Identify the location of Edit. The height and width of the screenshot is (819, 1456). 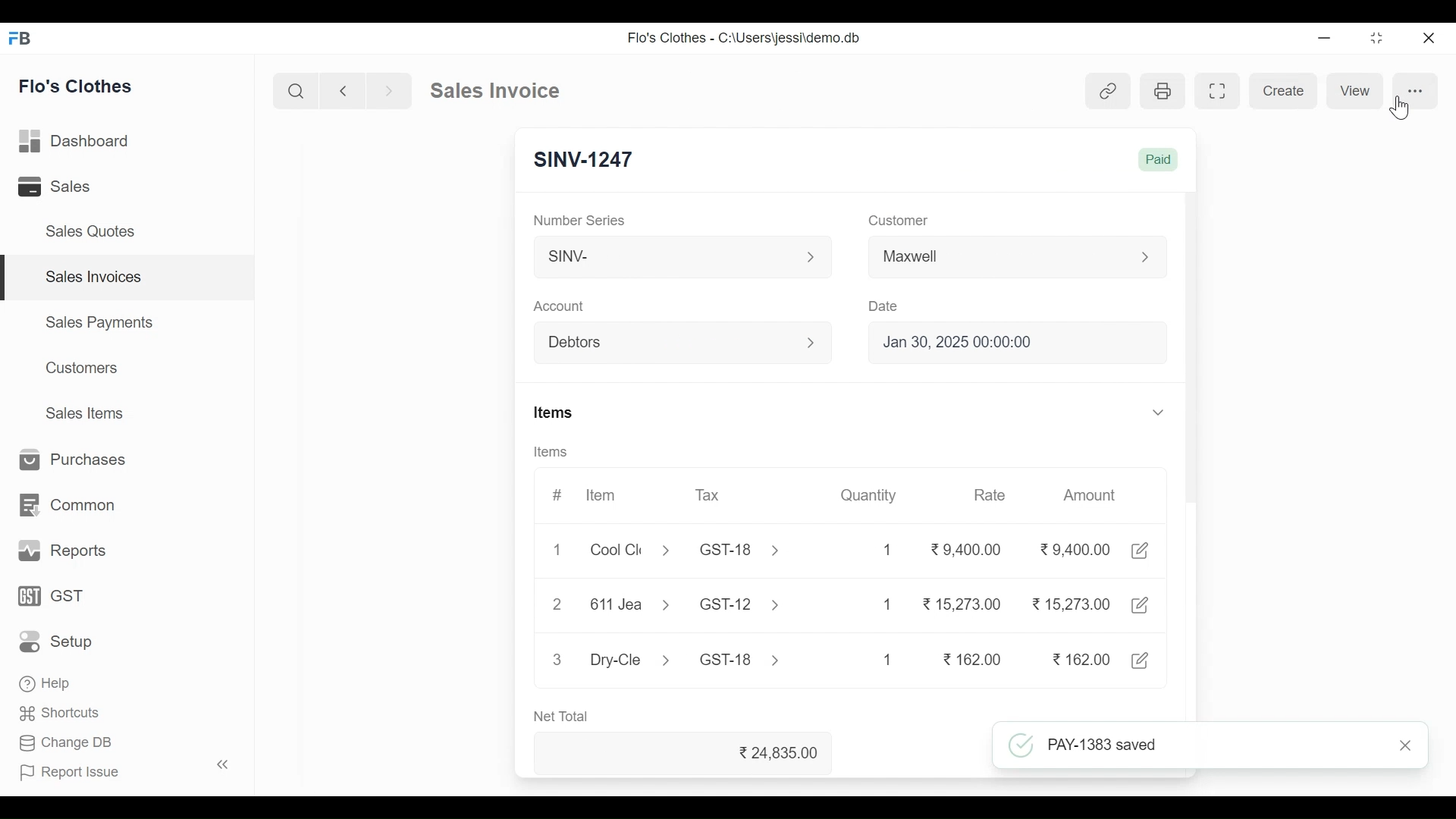
(1143, 551).